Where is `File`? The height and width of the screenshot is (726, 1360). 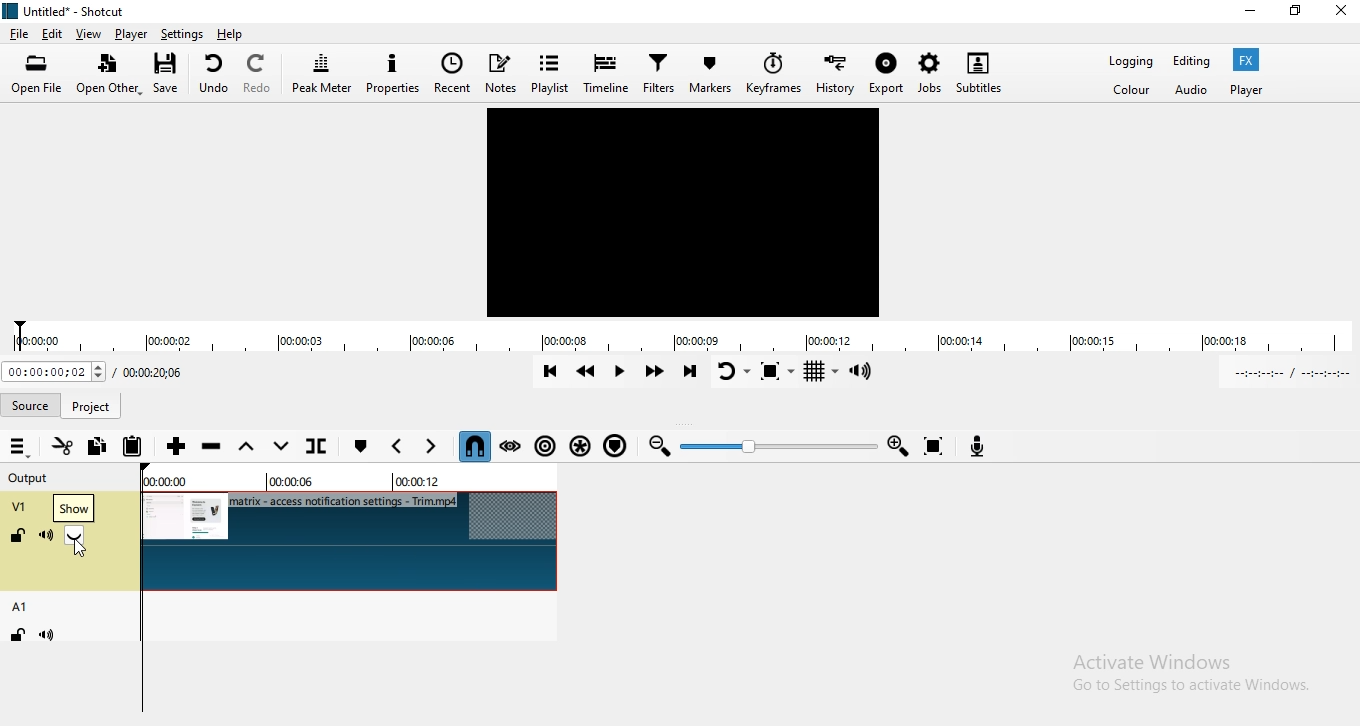 File is located at coordinates (20, 34).